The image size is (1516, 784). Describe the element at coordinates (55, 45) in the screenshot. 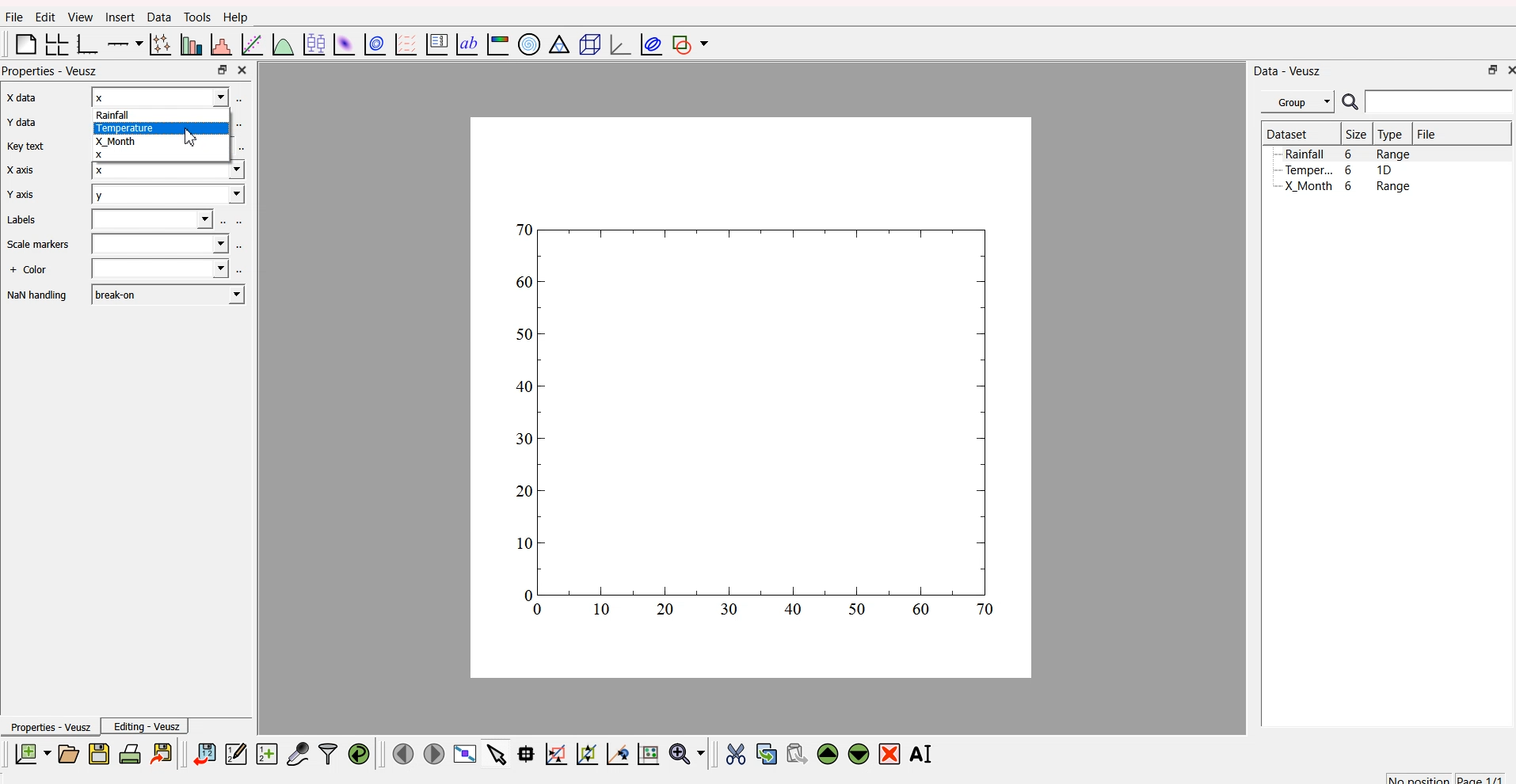

I see `arrange grid in graph` at that location.